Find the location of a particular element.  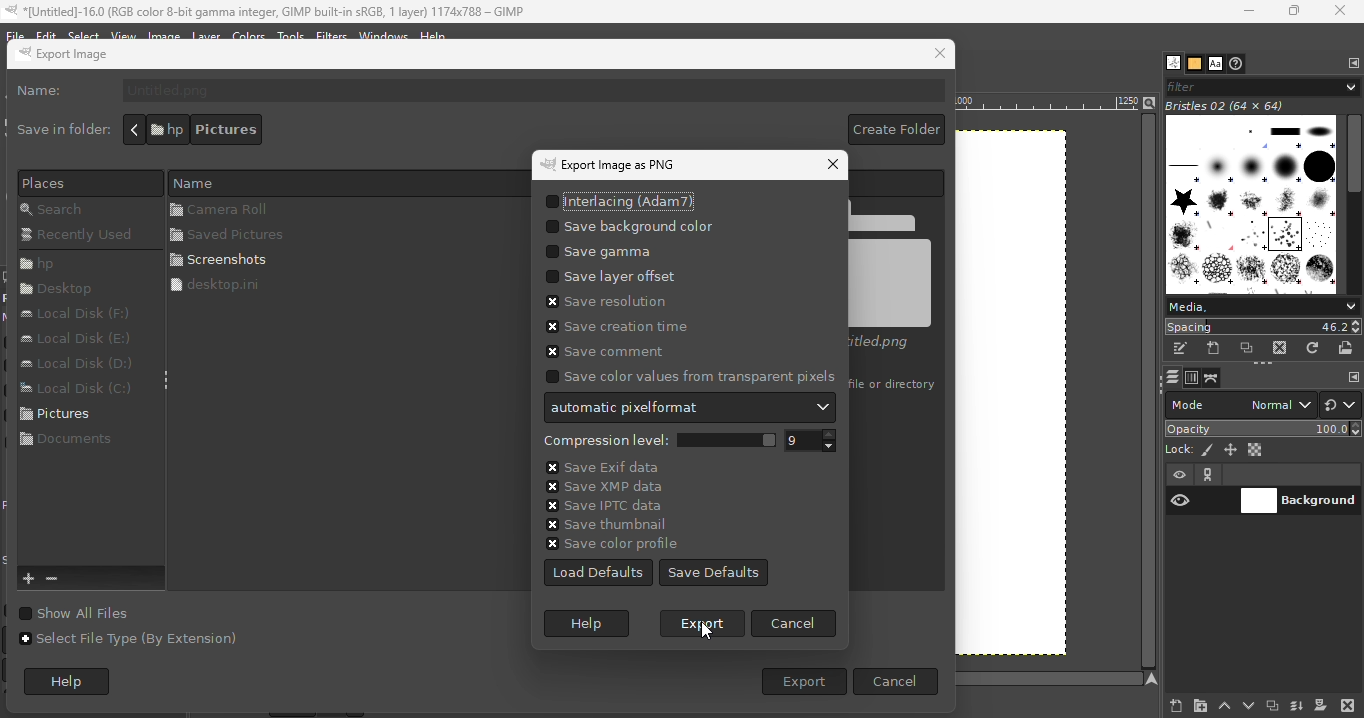

Spacing      46.2 is located at coordinates (1263, 326).